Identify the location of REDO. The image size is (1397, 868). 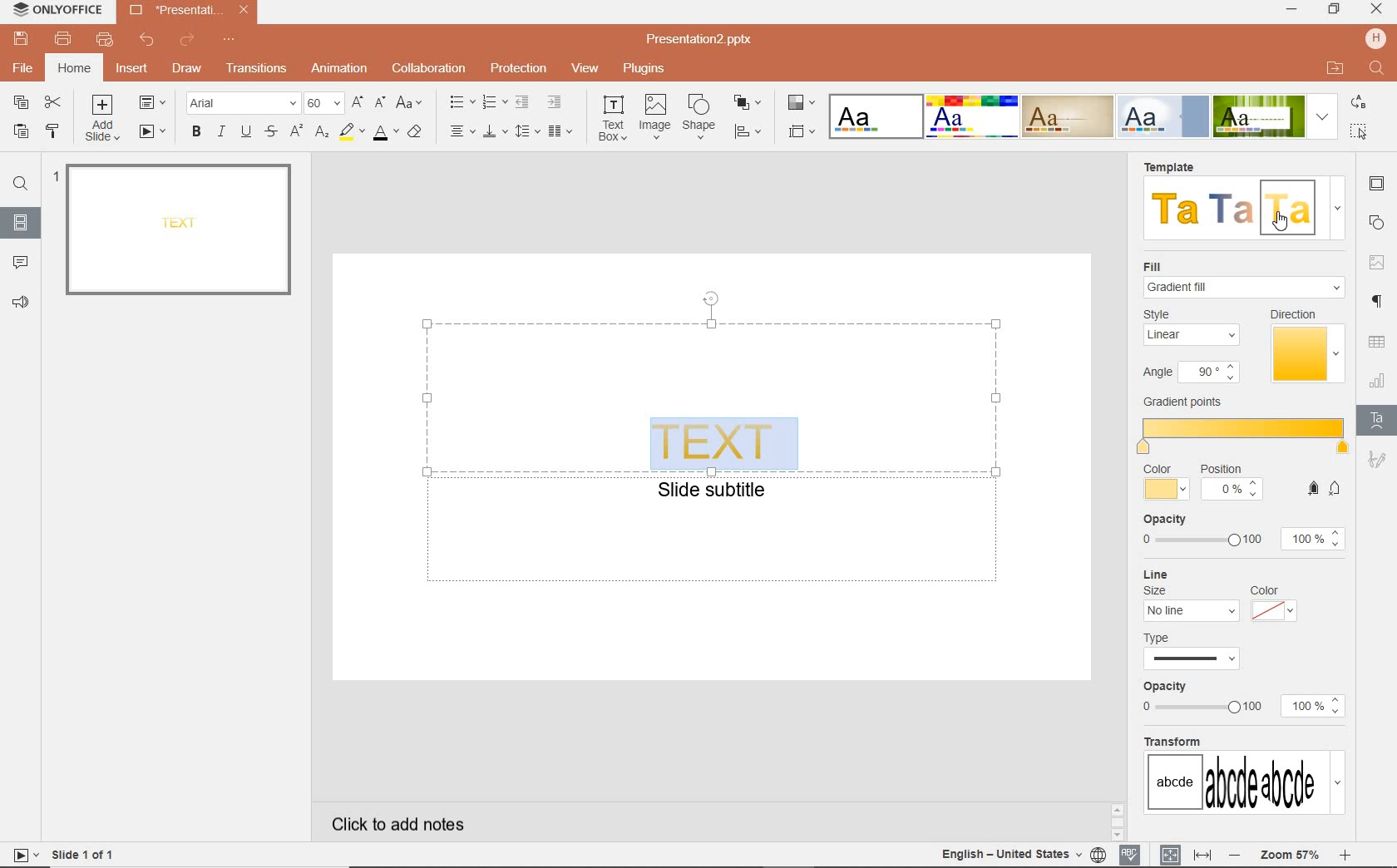
(185, 41).